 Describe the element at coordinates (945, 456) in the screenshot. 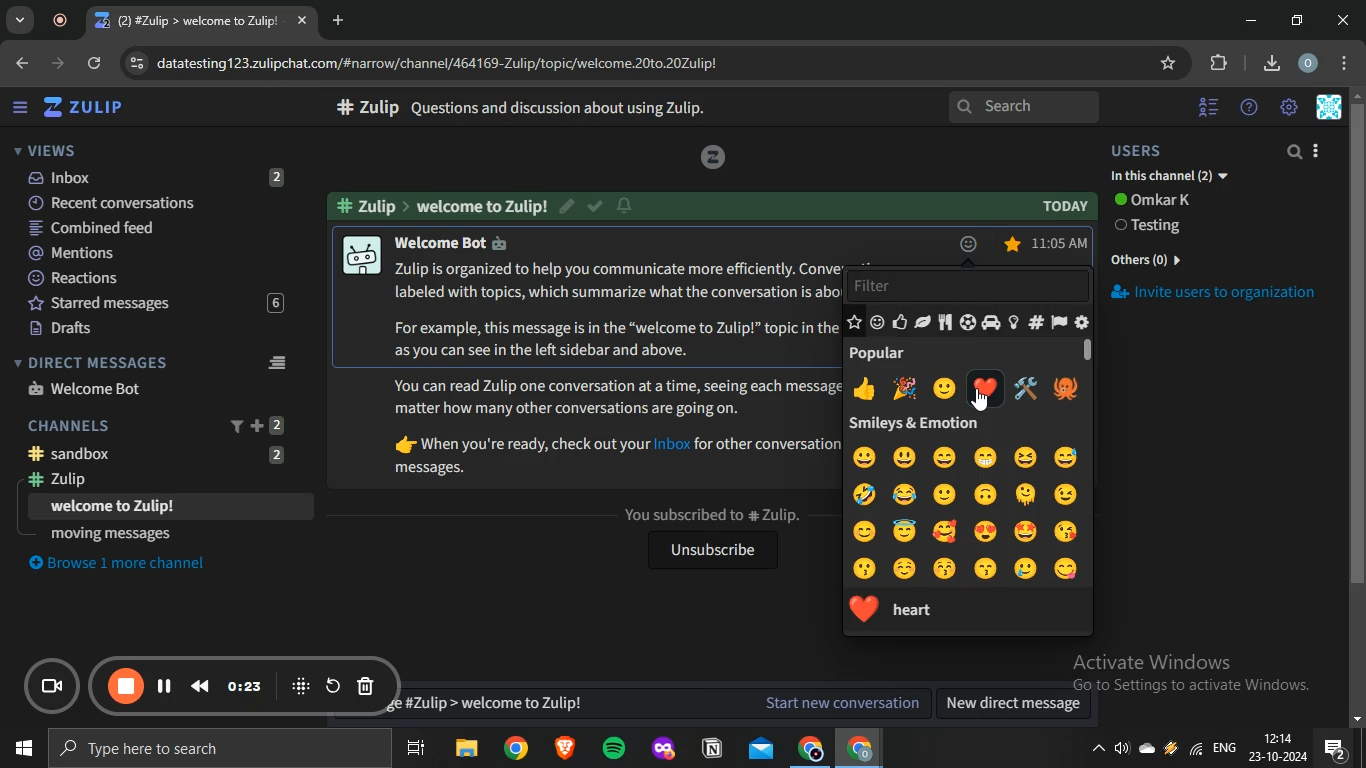

I see `big smile` at that location.